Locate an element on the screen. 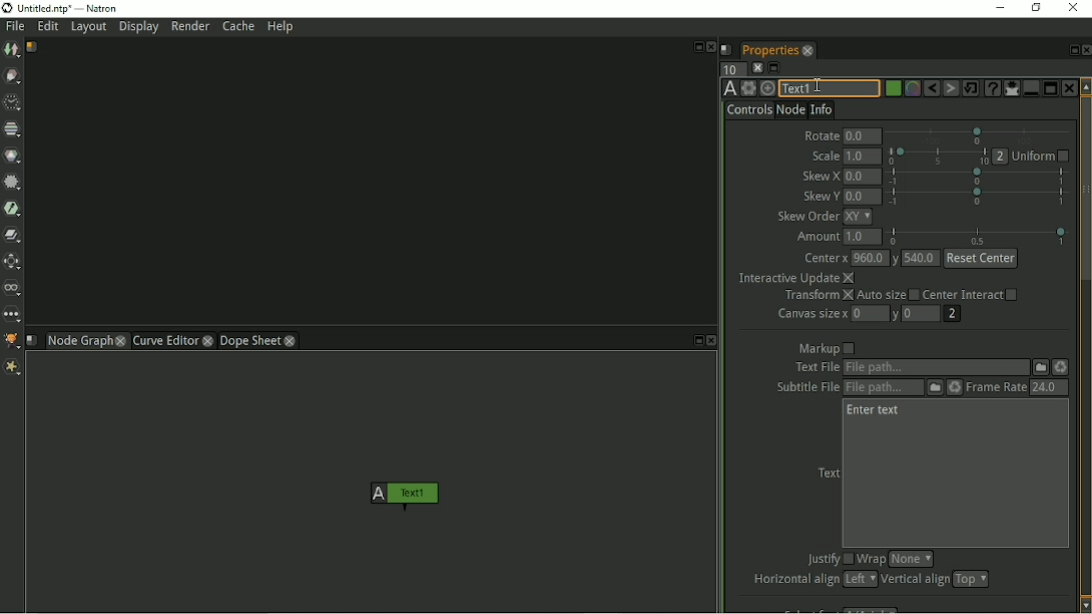 The image size is (1092, 614). Wrap is located at coordinates (871, 559).